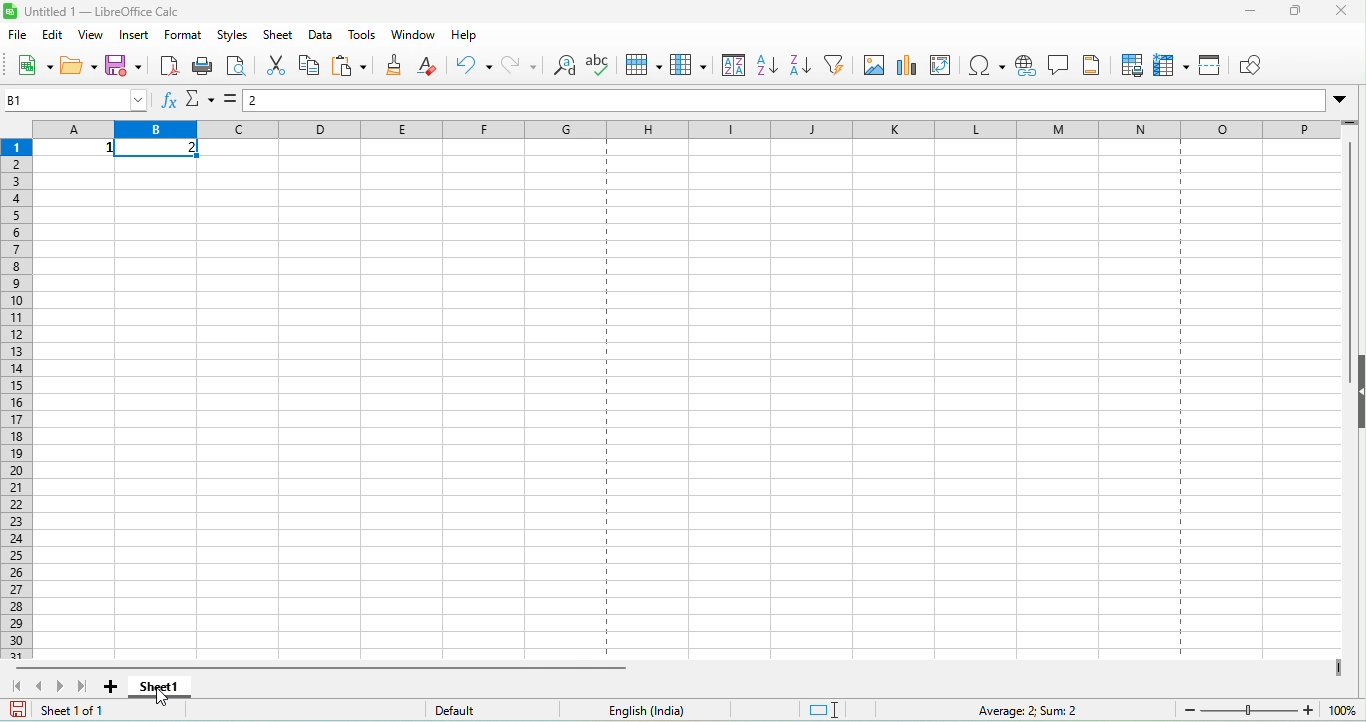  Describe the element at coordinates (307, 66) in the screenshot. I see `copy` at that location.